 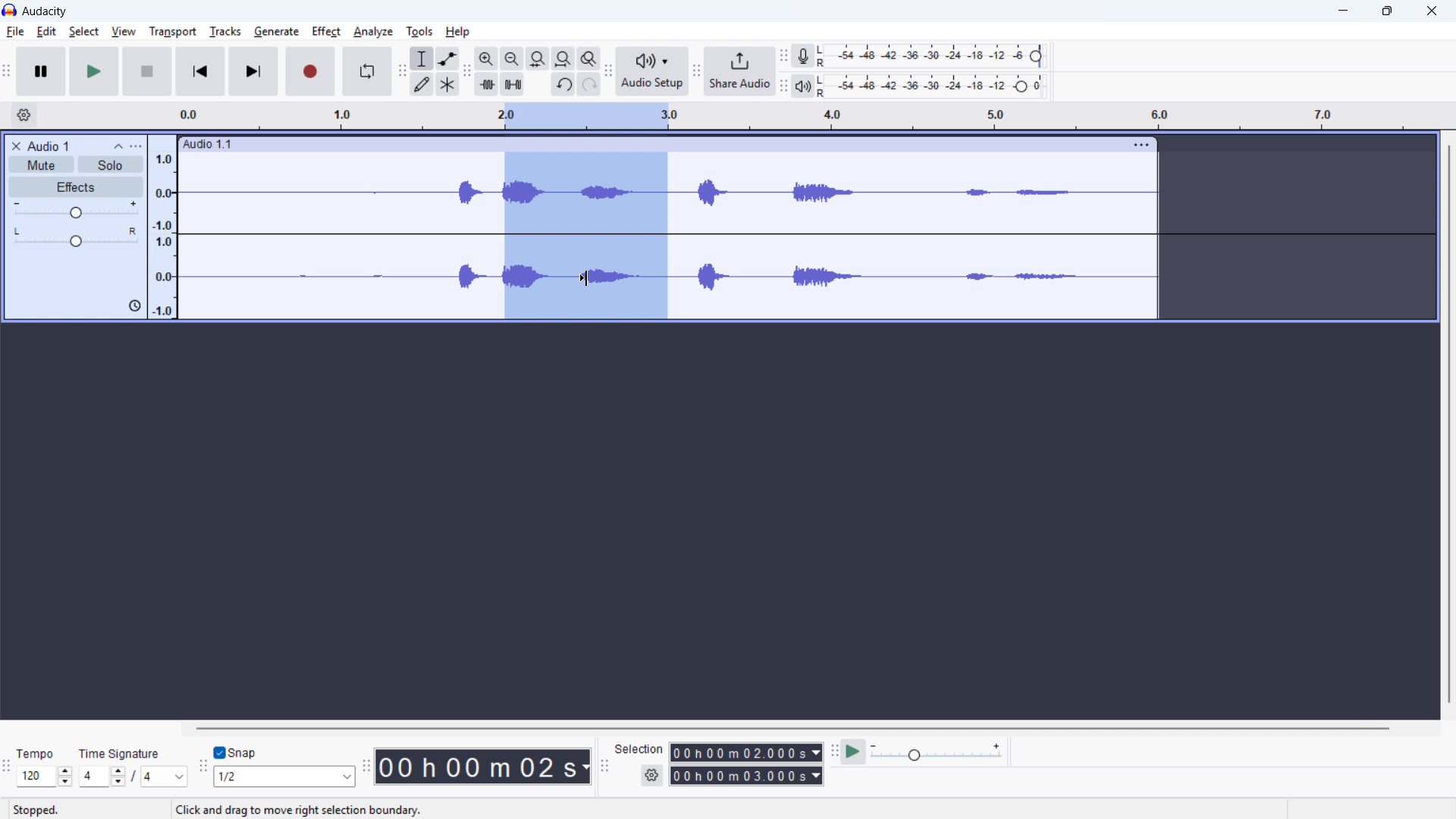 I want to click on Skip to start, so click(x=200, y=72).